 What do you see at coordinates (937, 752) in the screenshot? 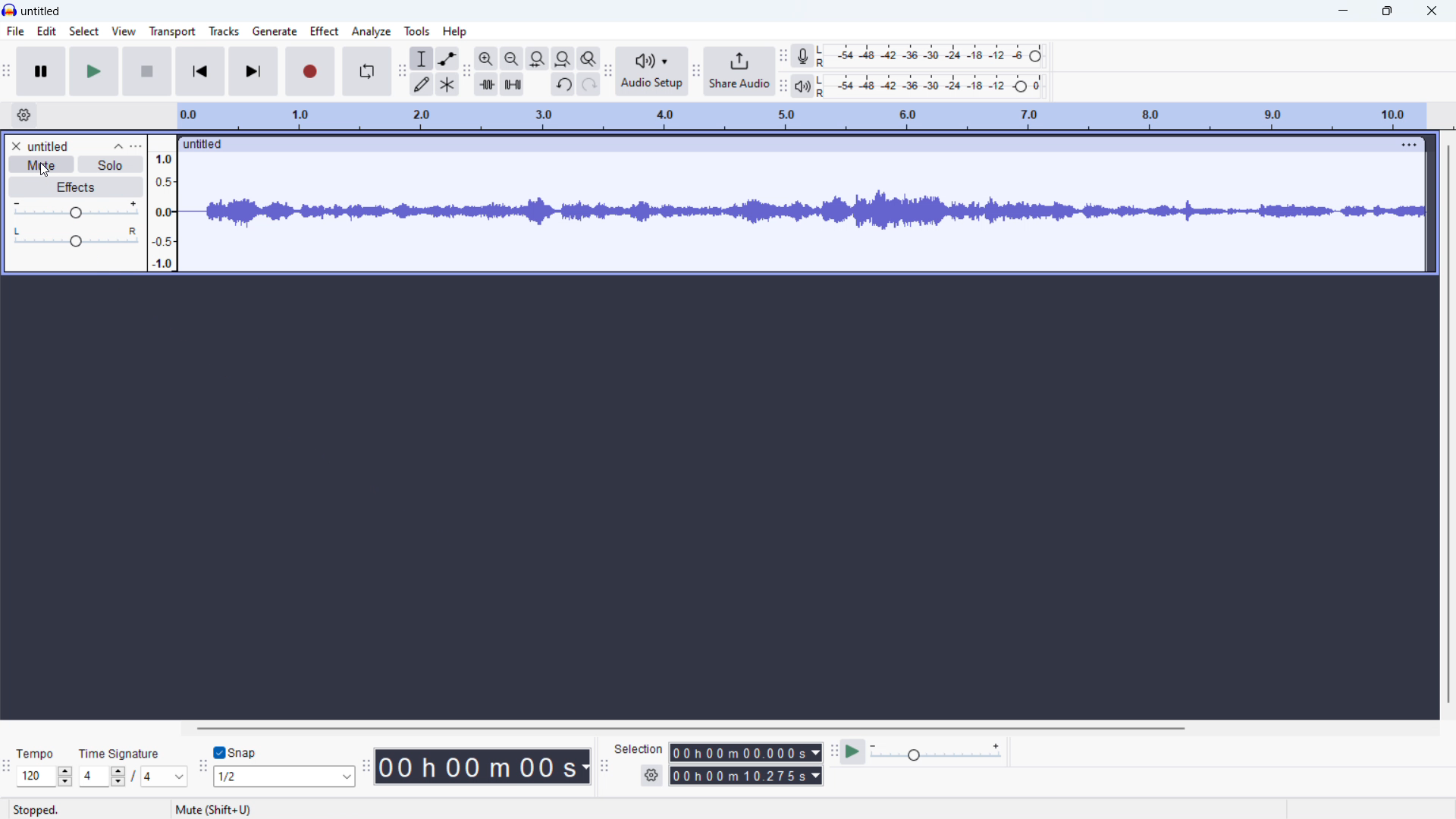
I see `playback speed` at bounding box center [937, 752].